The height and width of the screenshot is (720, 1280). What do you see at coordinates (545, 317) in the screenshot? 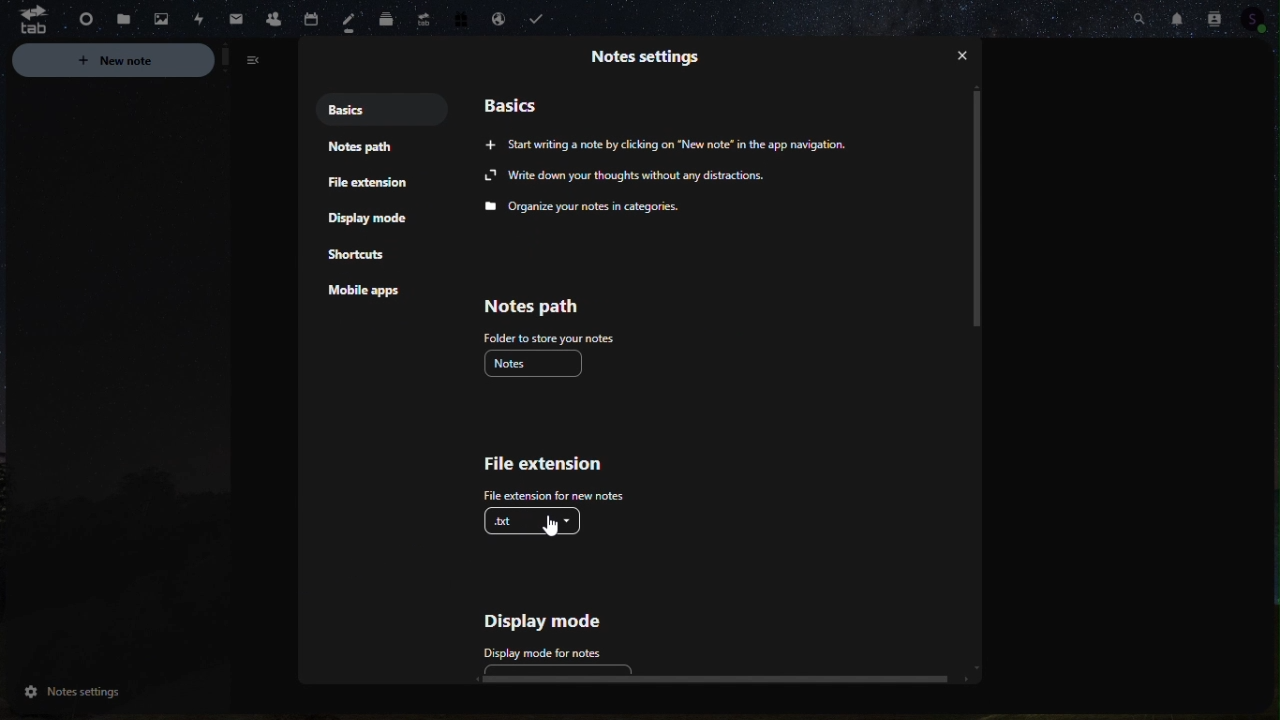
I see `Note path` at bounding box center [545, 317].